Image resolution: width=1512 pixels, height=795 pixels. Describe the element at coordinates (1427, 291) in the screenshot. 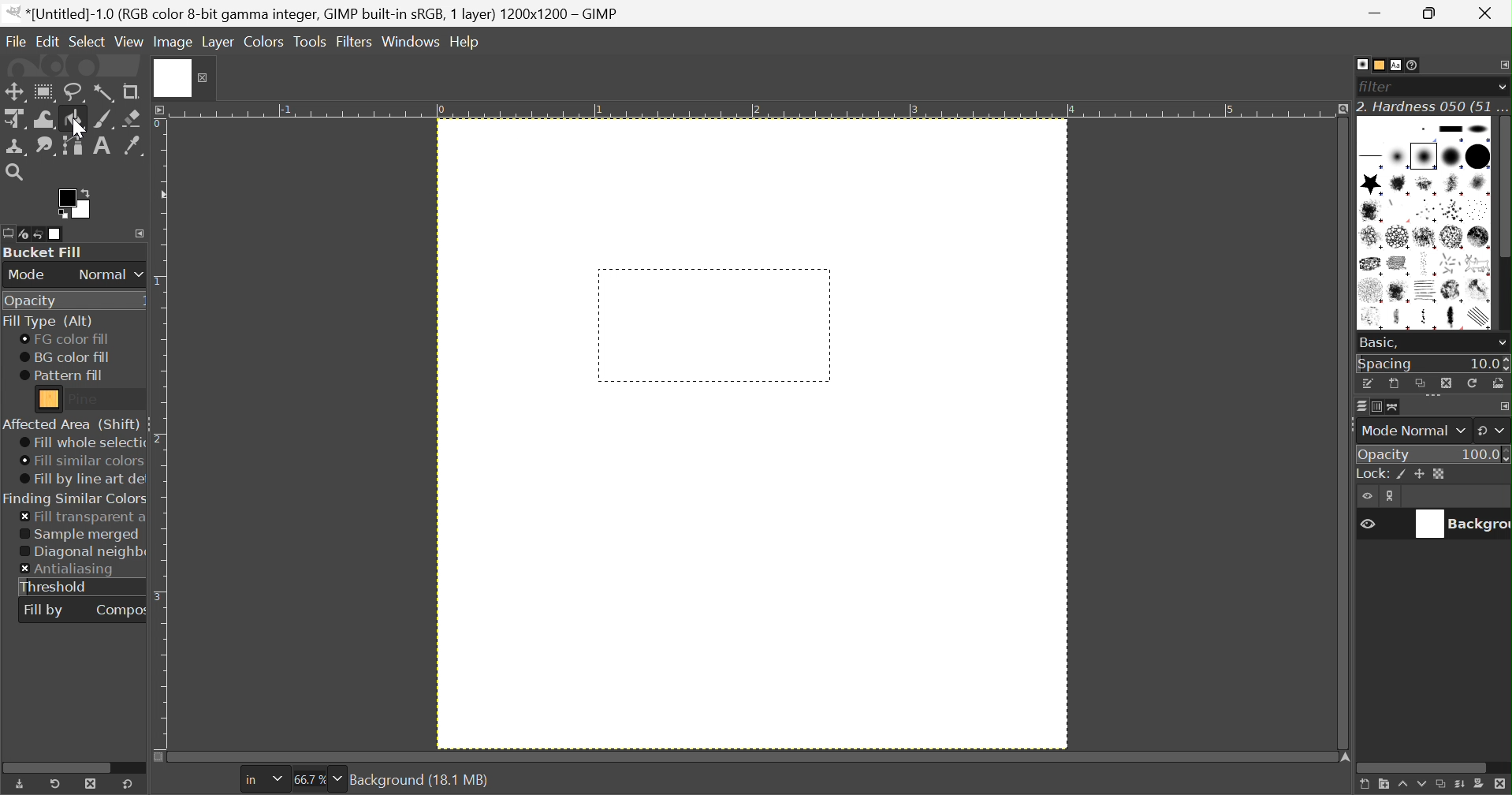

I see `Hatch Pen` at that location.